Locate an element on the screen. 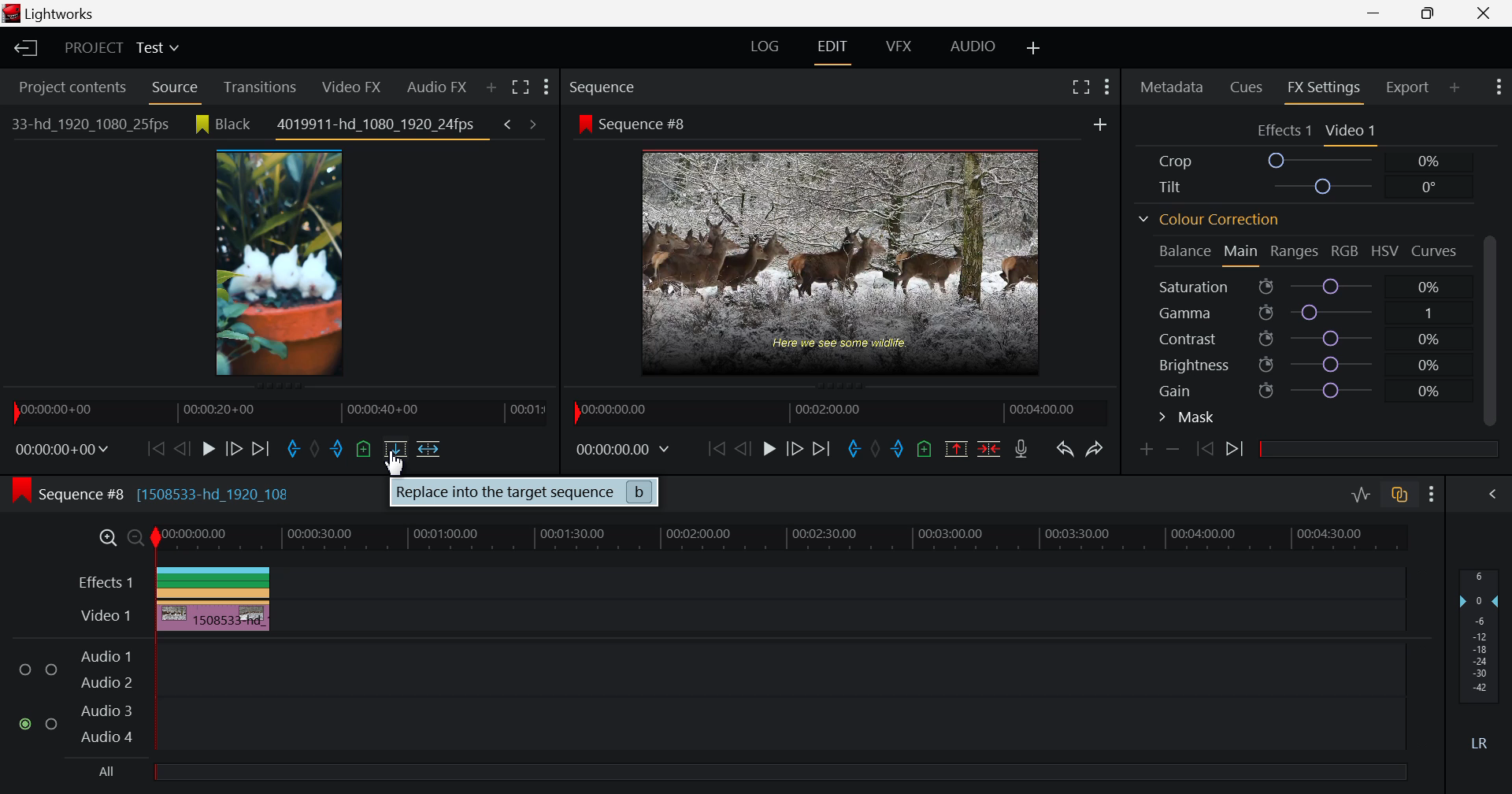  Previous keyframe is located at coordinates (1206, 451).